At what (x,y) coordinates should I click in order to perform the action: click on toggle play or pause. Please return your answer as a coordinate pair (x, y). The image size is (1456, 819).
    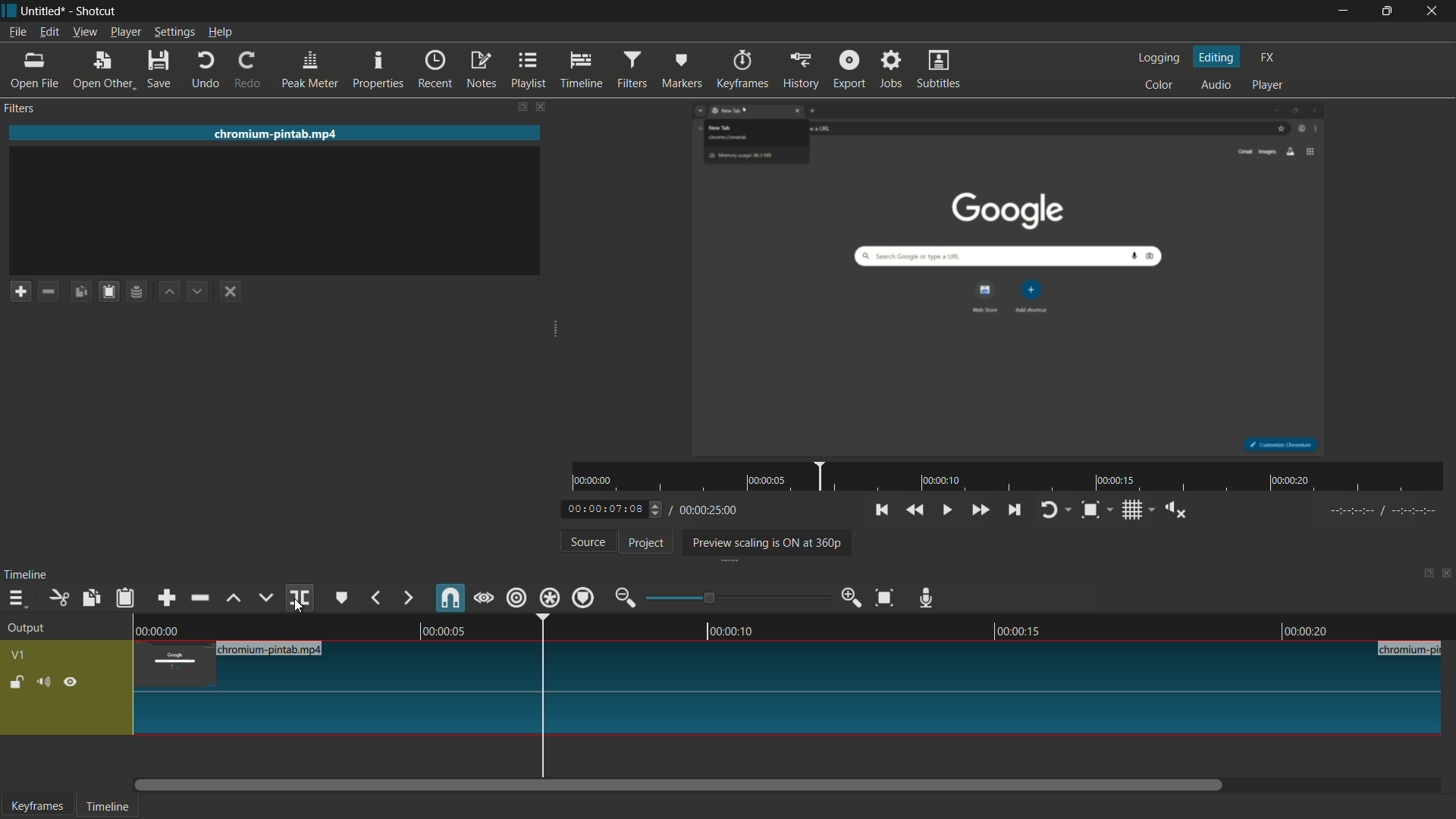
    Looking at the image, I should click on (946, 509).